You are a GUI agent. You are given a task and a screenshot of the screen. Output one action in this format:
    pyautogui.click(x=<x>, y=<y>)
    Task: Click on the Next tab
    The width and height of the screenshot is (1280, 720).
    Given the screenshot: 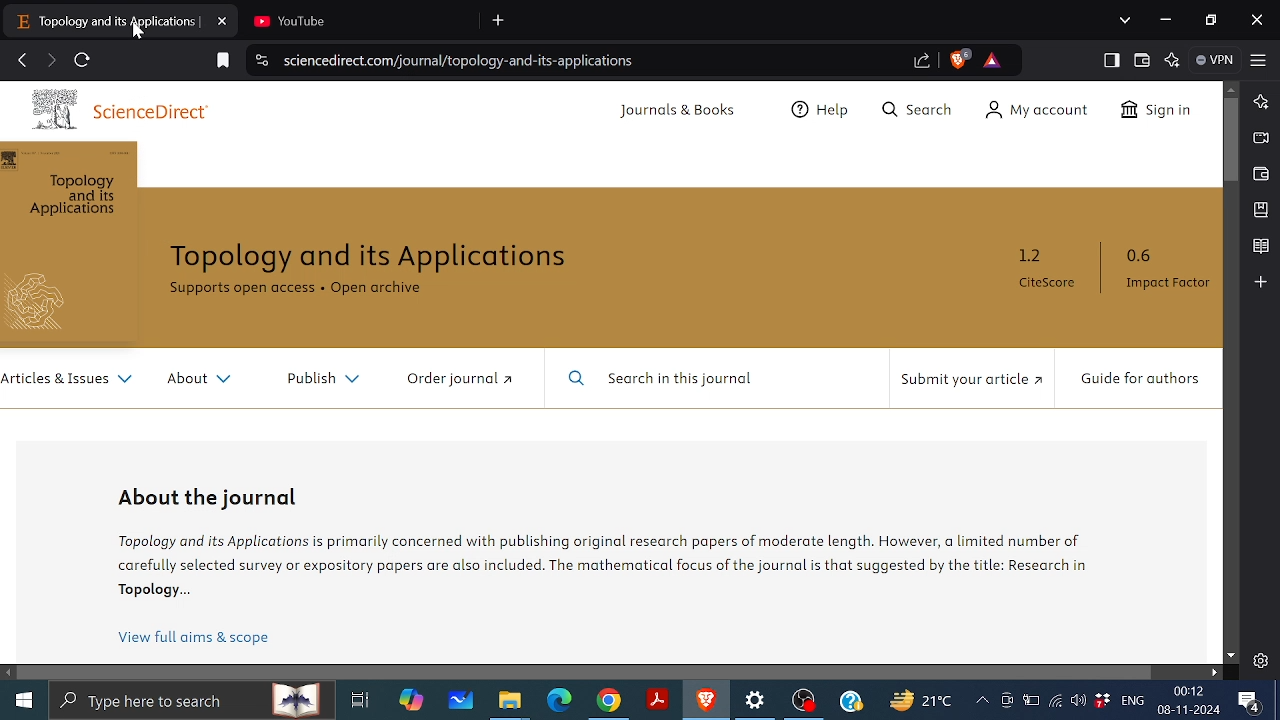 What is the action you would take?
    pyautogui.click(x=354, y=19)
    